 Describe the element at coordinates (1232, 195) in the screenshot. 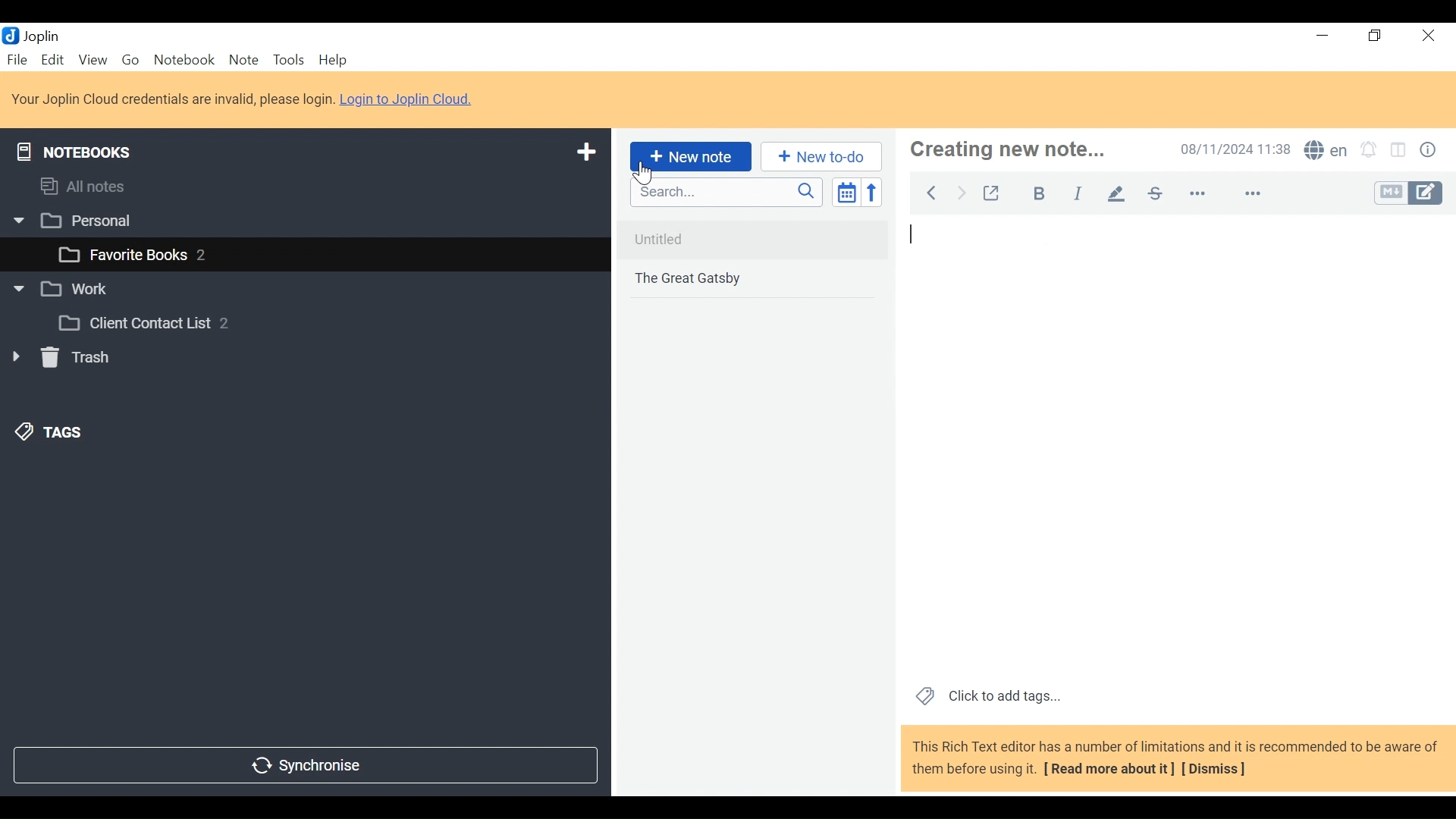

I see `more` at that location.